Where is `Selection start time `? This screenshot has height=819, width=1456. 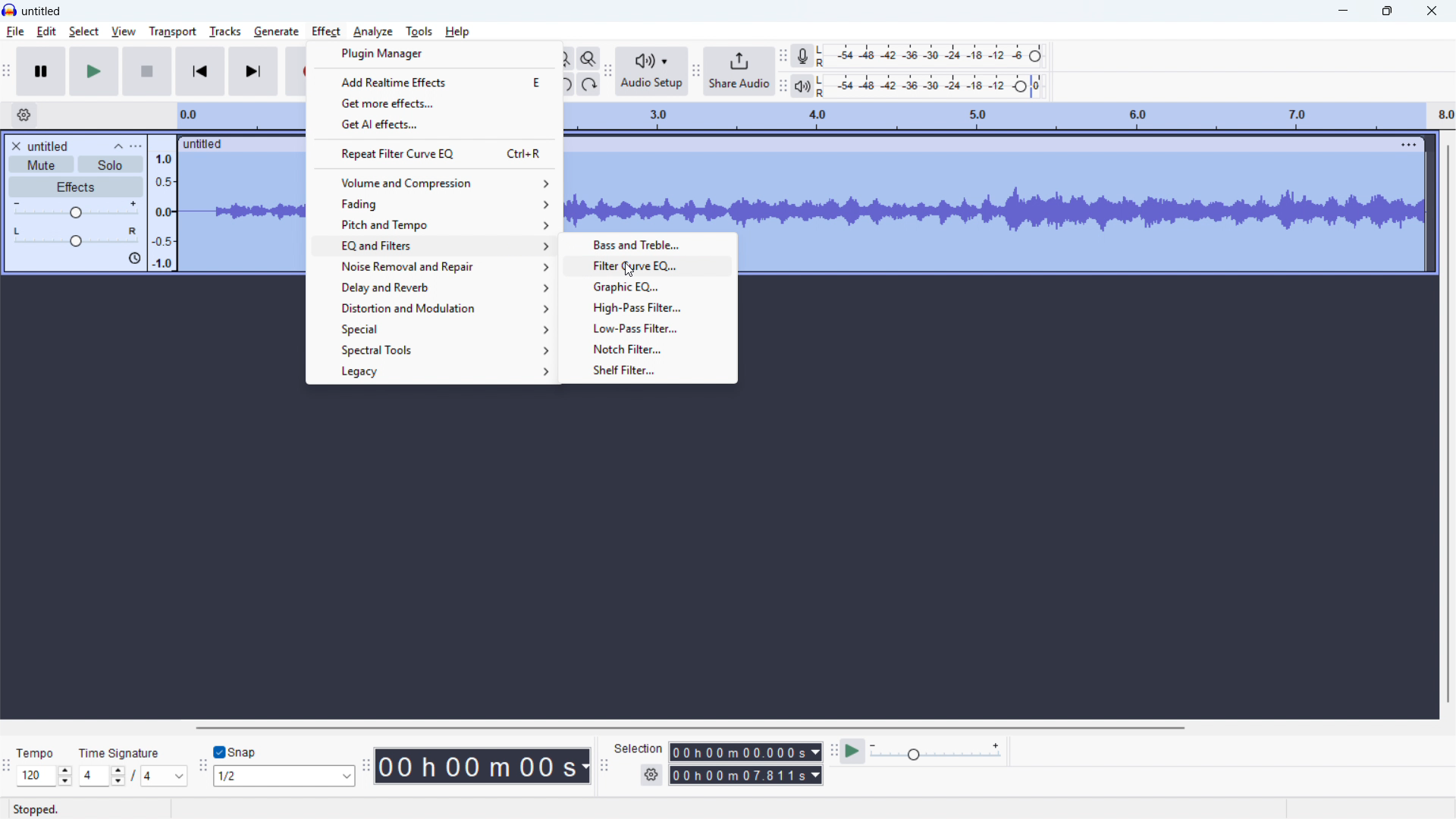 Selection start time  is located at coordinates (745, 752).